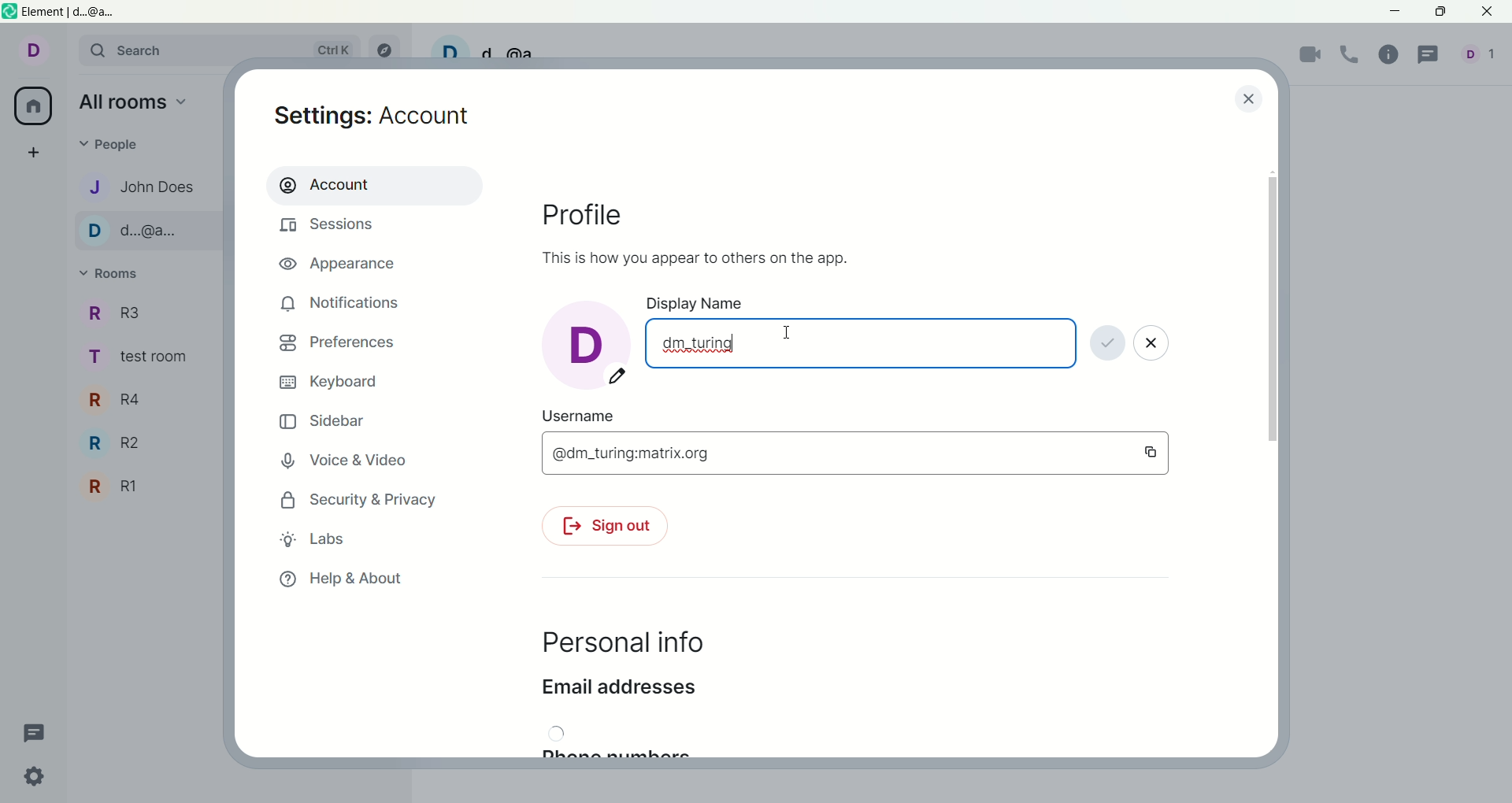 The width and height of the screenshot is (1512, 803). What do you see at coordinates (488, 49) in the screenshot?
I see `d d @a` at bounding box center [488, 49].